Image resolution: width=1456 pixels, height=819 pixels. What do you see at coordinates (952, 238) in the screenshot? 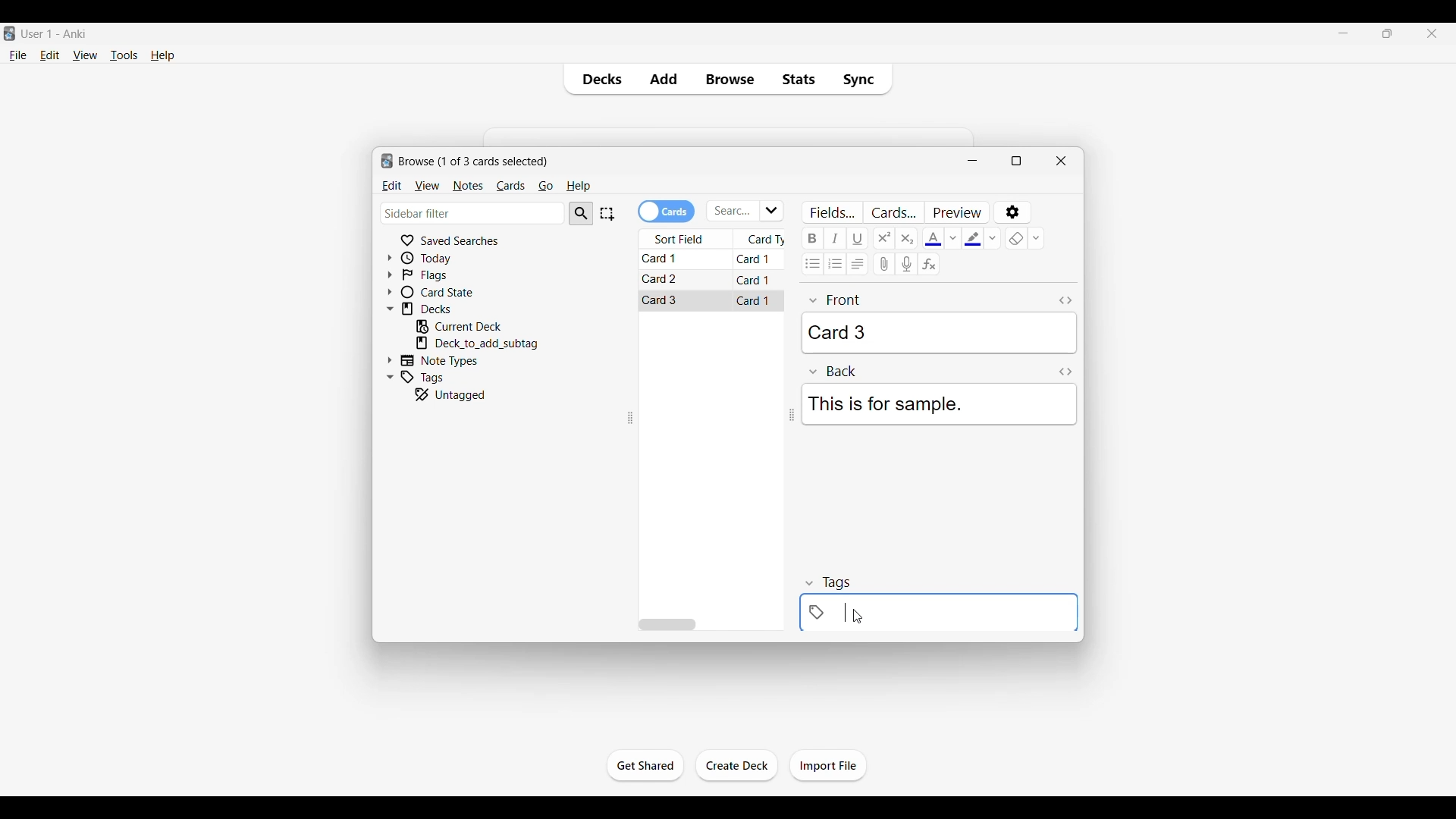
I see `Text color options` at bounding box center [952, 238].